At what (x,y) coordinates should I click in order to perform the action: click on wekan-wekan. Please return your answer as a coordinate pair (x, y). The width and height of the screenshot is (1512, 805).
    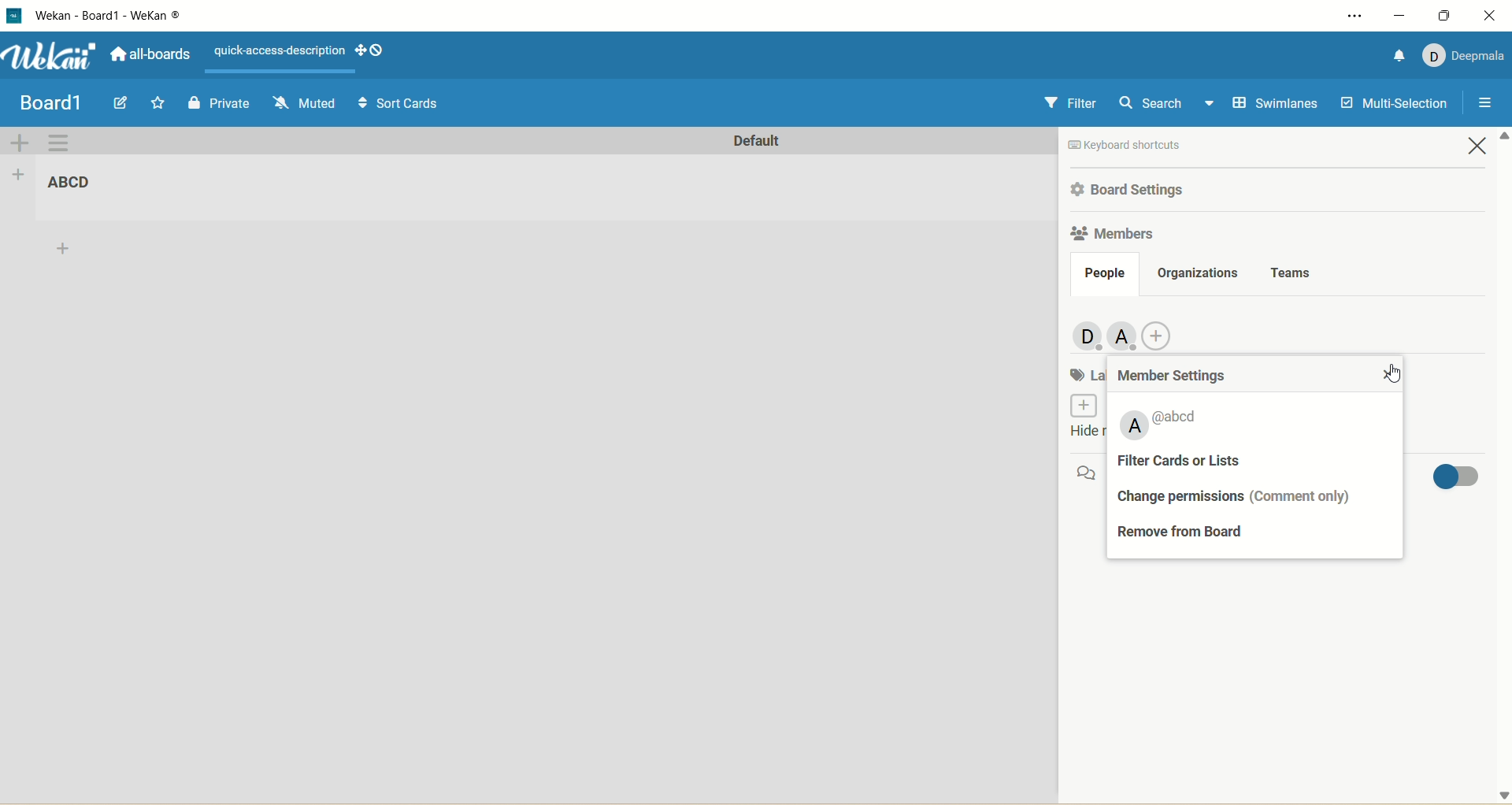
    Looking at the image, I should click on (108, 16).